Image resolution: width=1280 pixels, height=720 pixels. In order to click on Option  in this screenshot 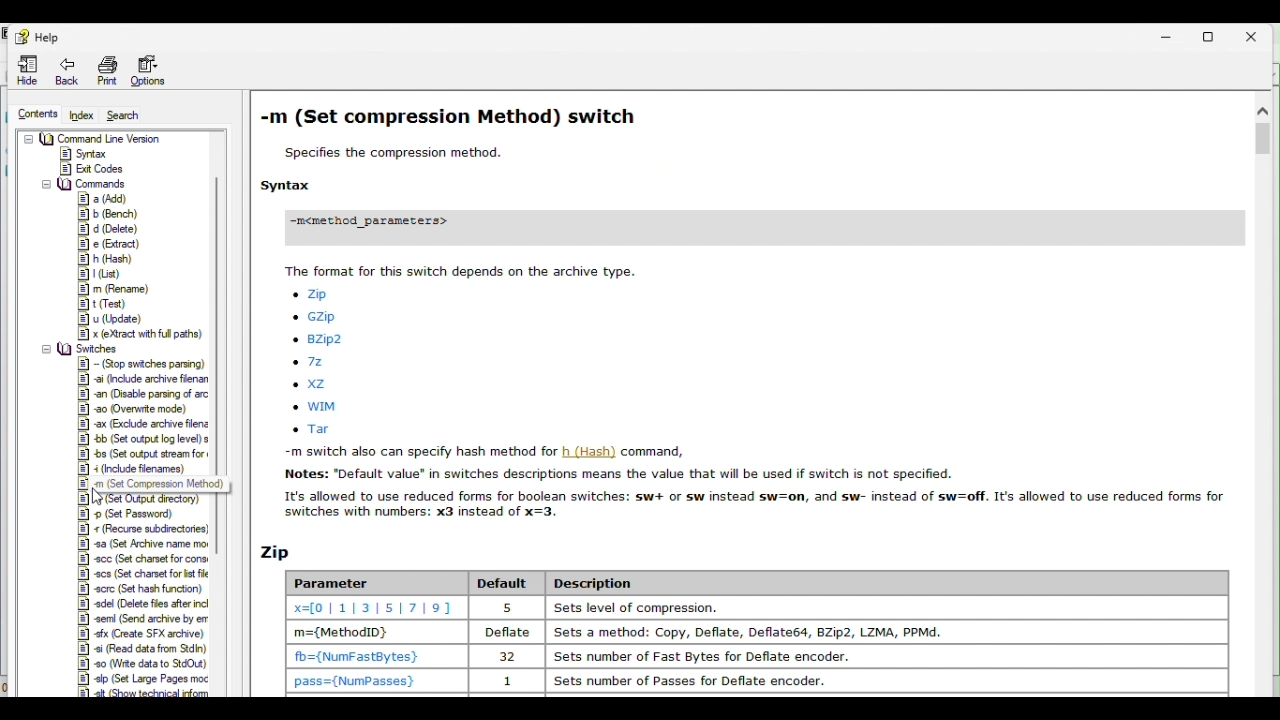, I will do `click(149, 69)`.